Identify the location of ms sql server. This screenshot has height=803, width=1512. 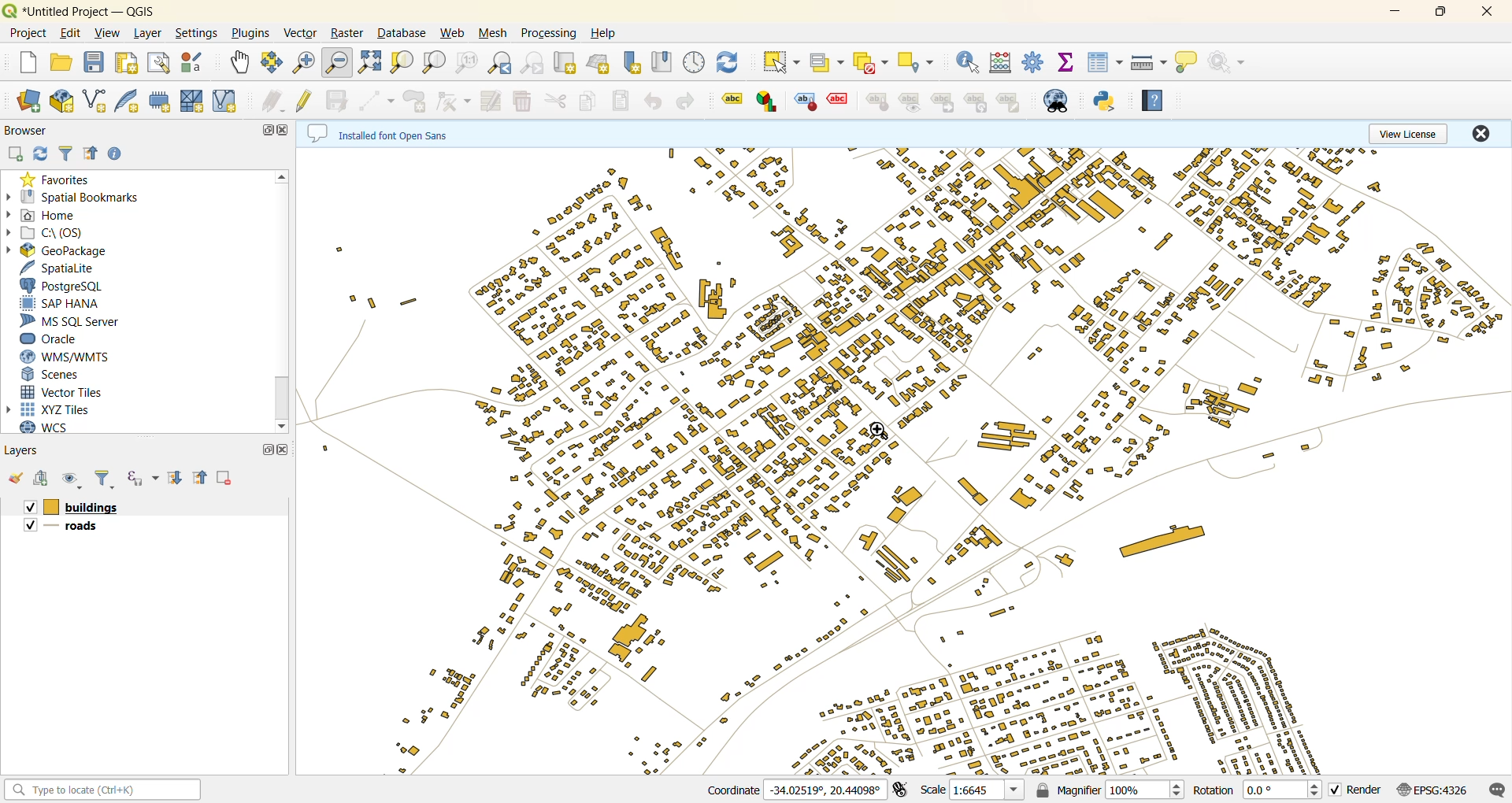
(80, 320).